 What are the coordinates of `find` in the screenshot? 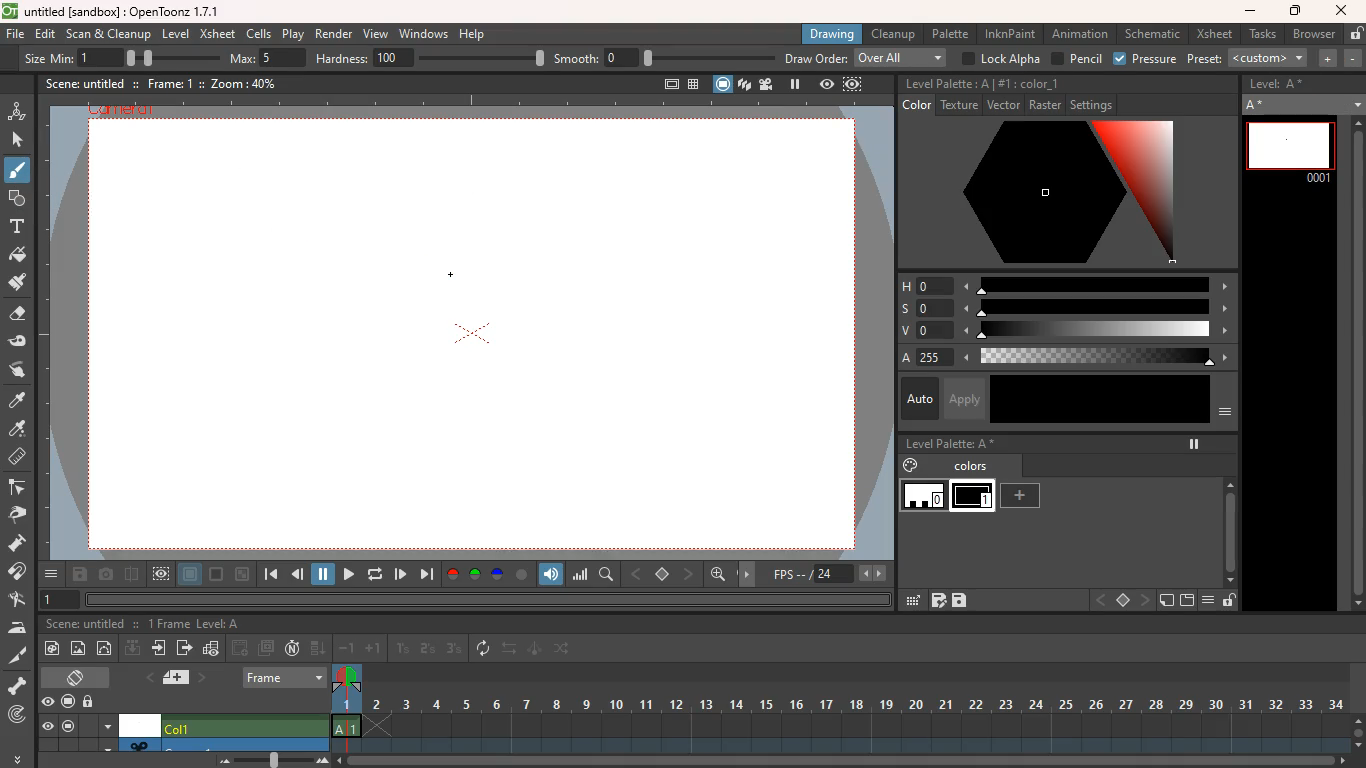 It's located at (720, 577).